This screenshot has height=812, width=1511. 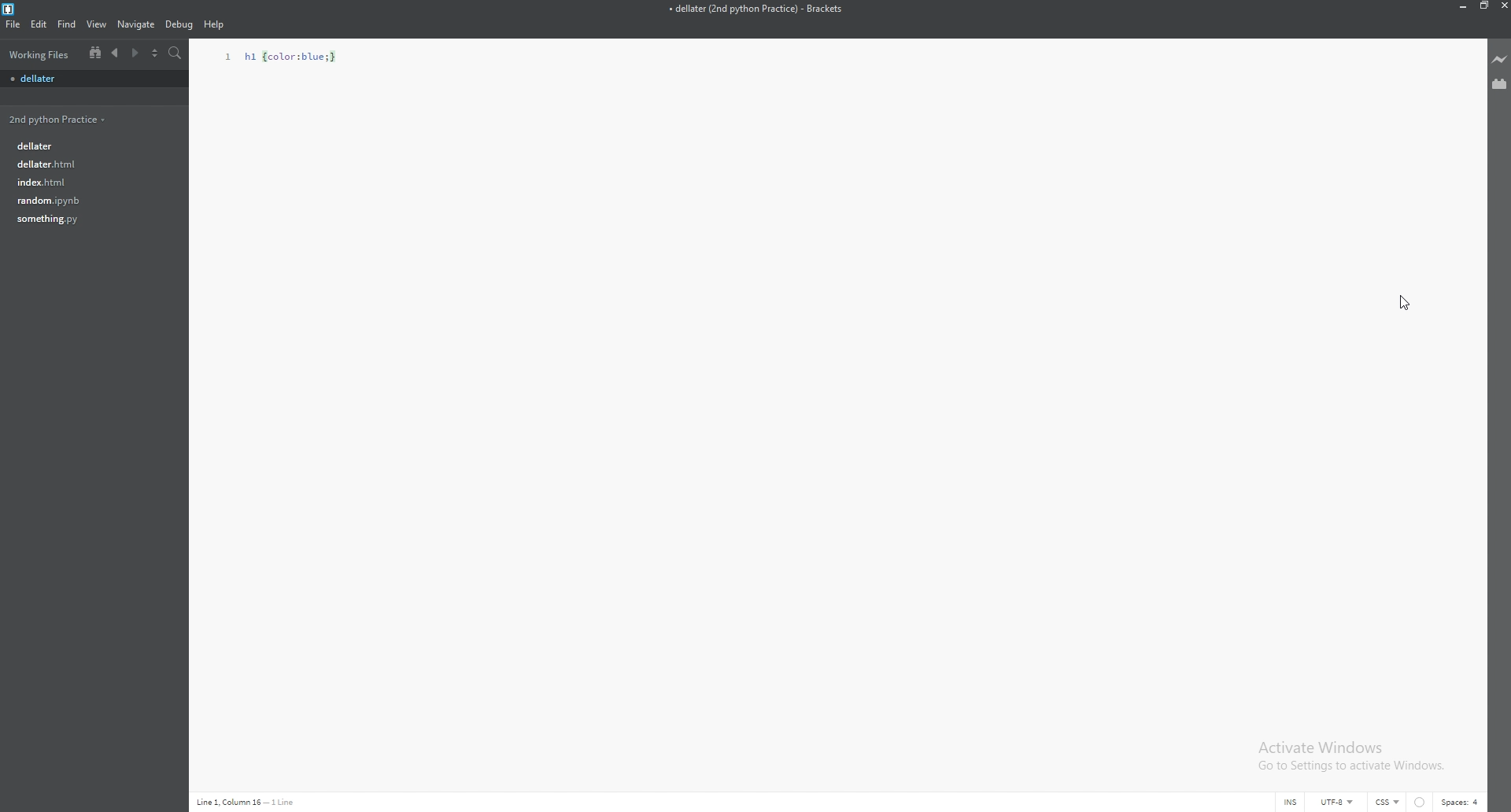 What do you see at coordinates (87, 219) in the screenshot?
I see `file` at bounding box center [87, 219].